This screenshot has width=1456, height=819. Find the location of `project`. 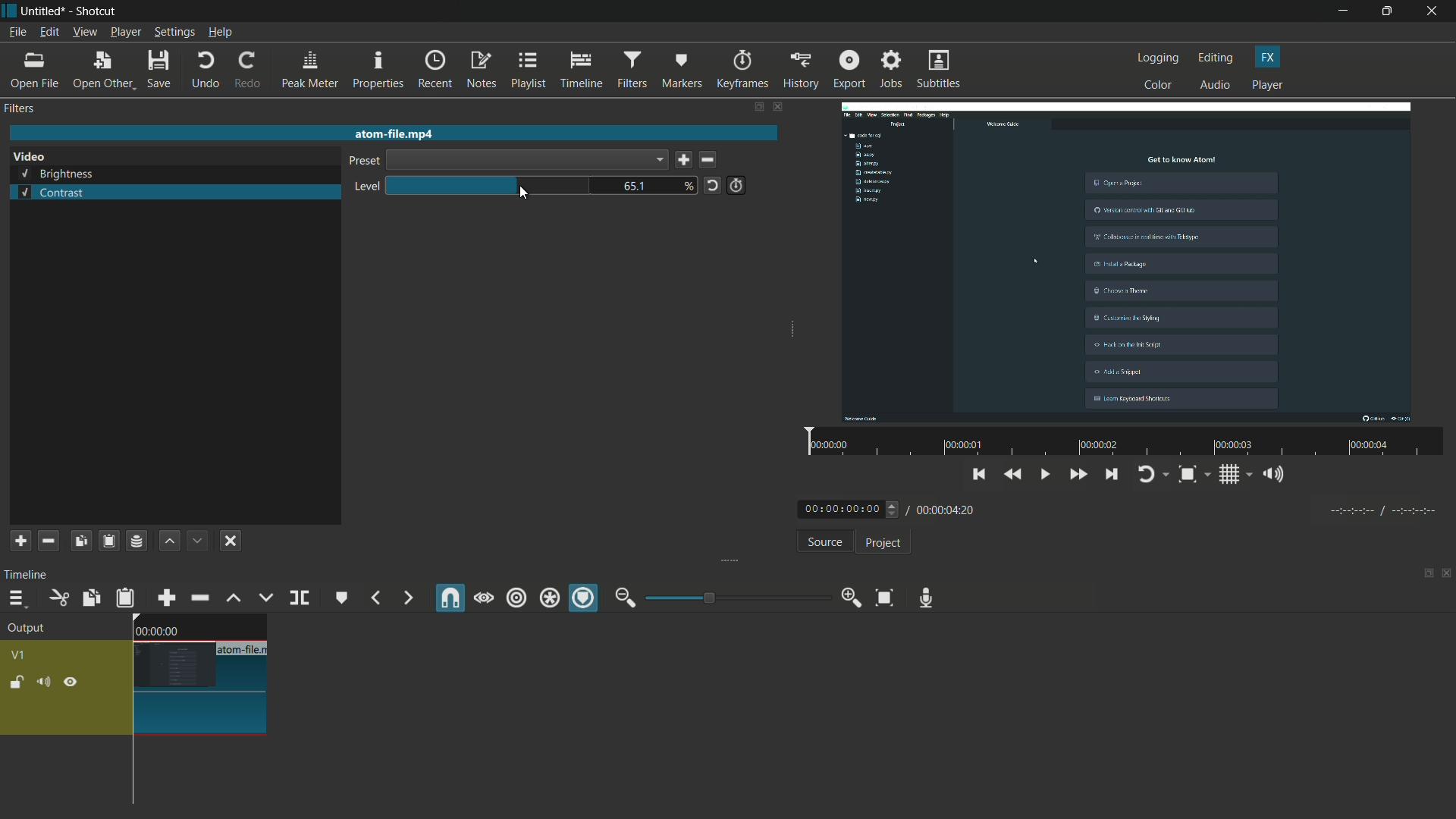

project is located at coordinates (881, 543).